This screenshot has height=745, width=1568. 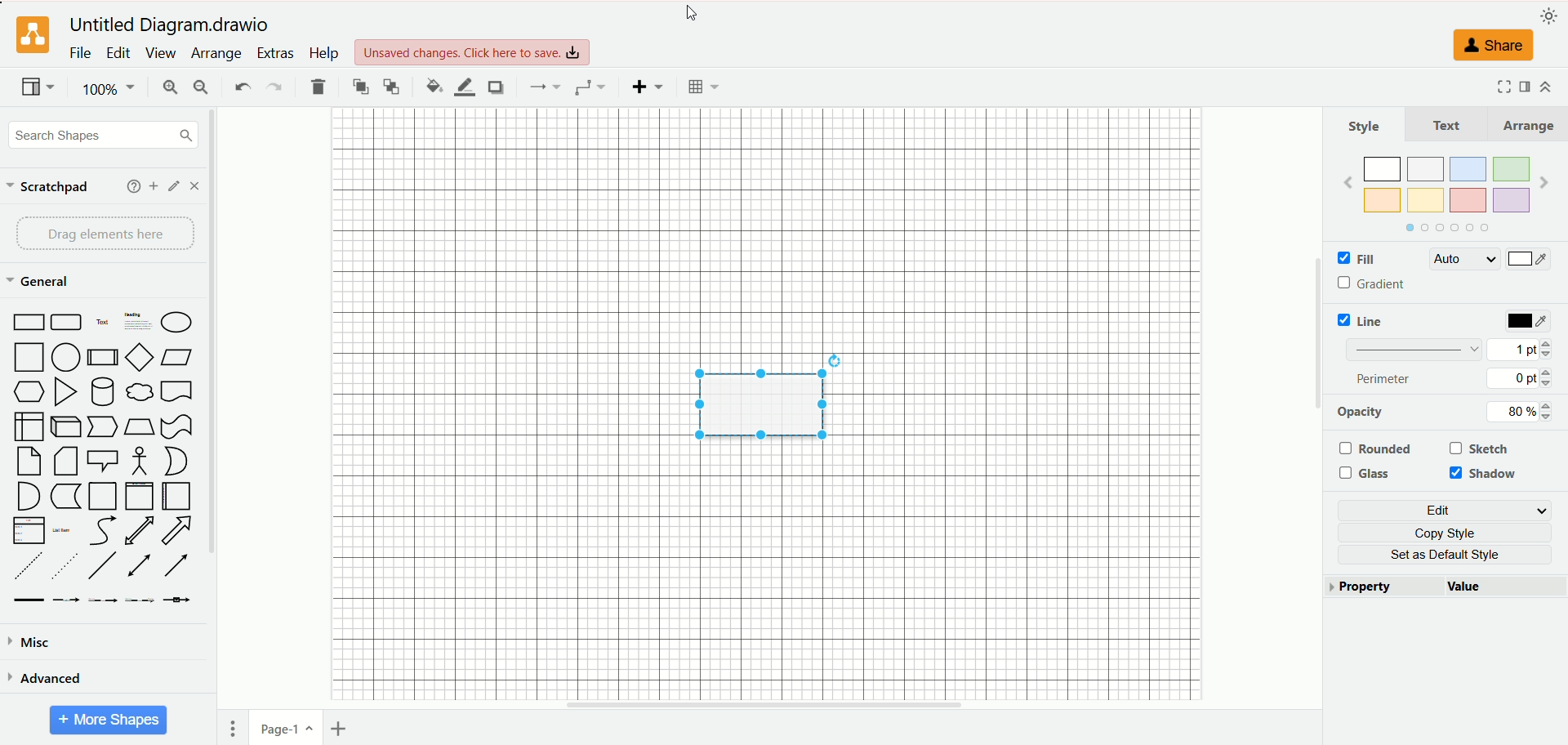 What do you see at coordinates (765, 705) in the screenshot?
I see `horizontal scroll bar` at bounding box center [765, 705].